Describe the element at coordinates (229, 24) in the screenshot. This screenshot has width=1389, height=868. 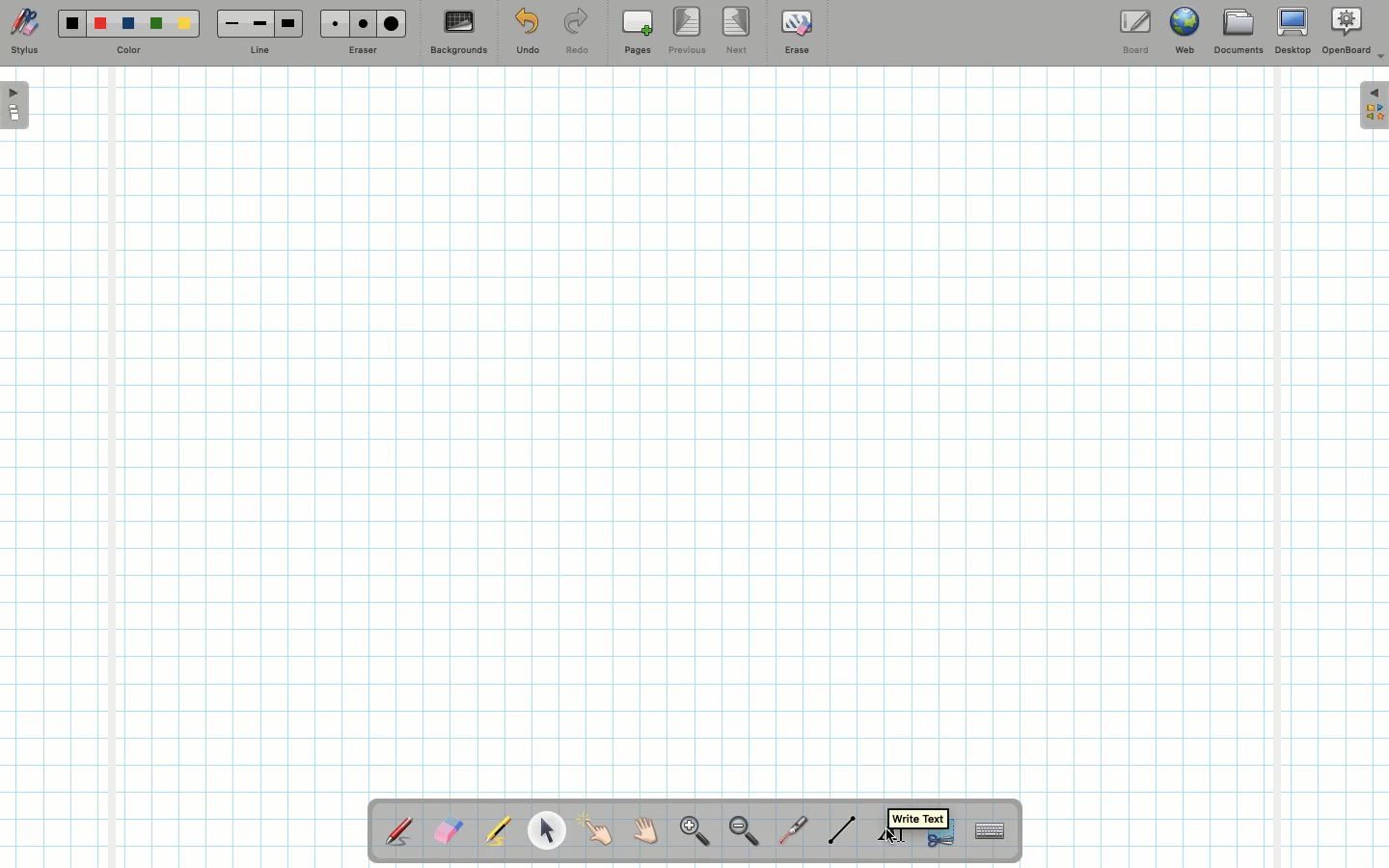
I see `Small line` at that location.